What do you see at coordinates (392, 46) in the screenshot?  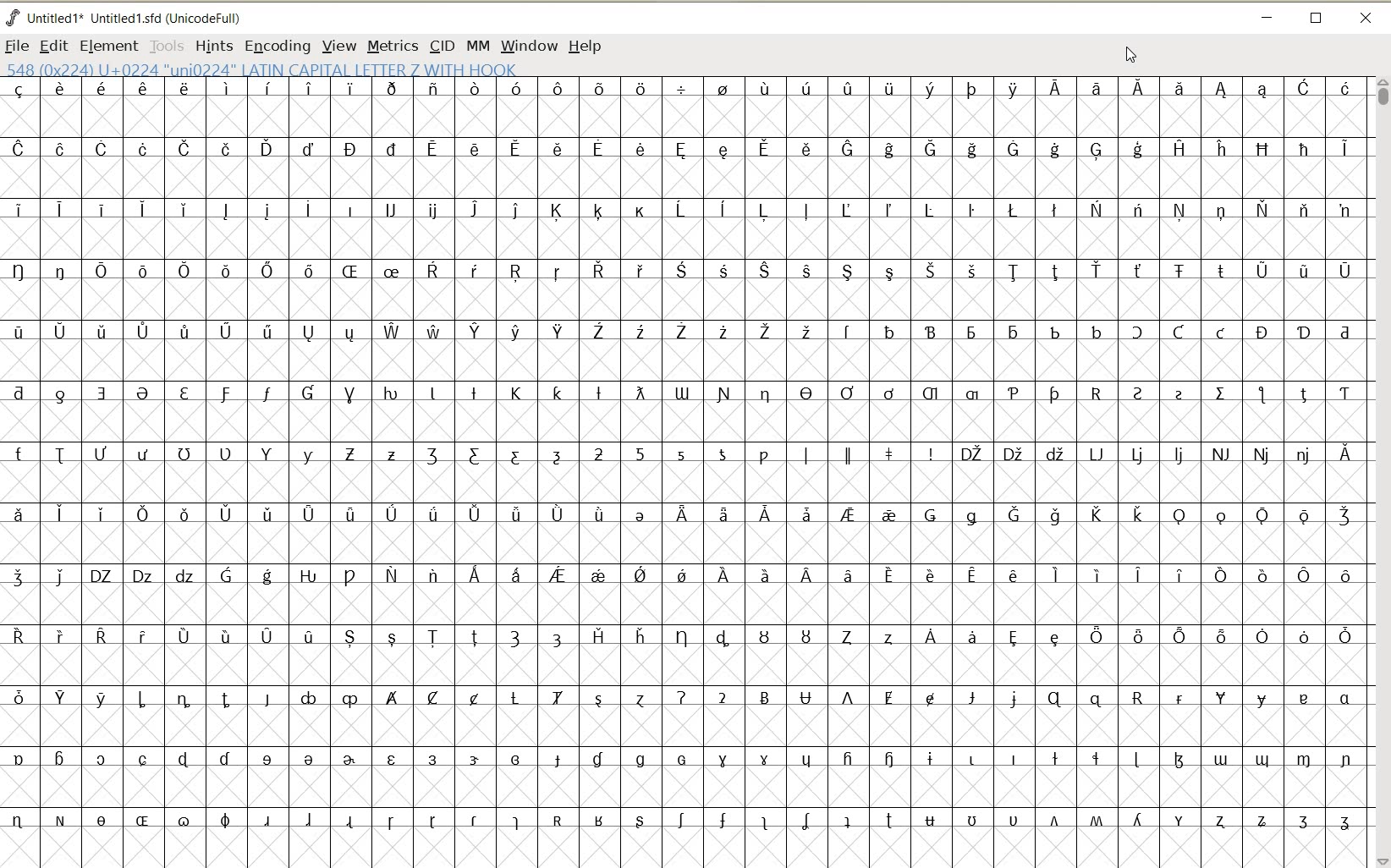 I see `METRICS` at bounding box center [392, 46].